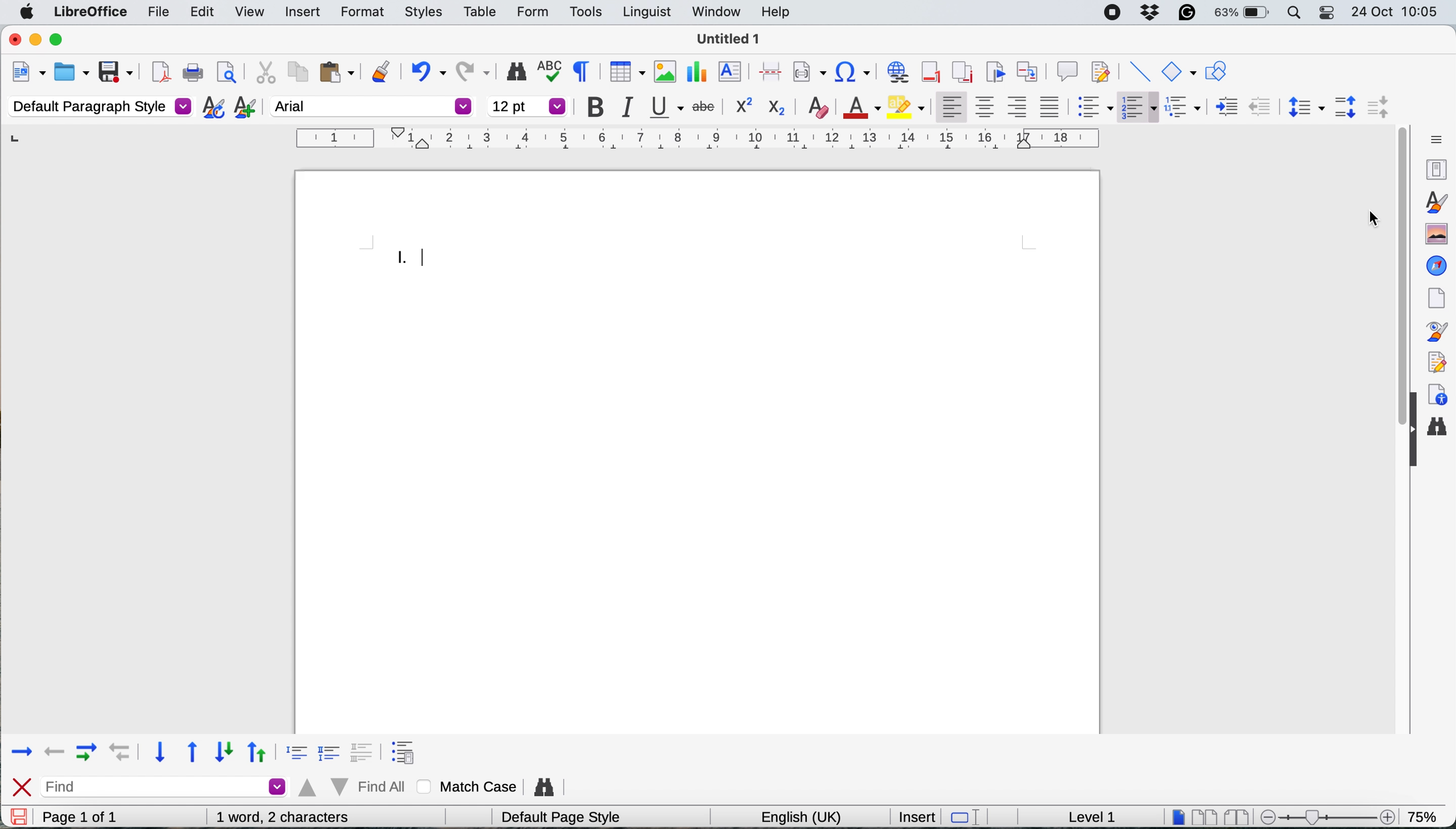 The width and height of the screenshot is (1456, 829). I want to click on control center, so click(1324, 13).